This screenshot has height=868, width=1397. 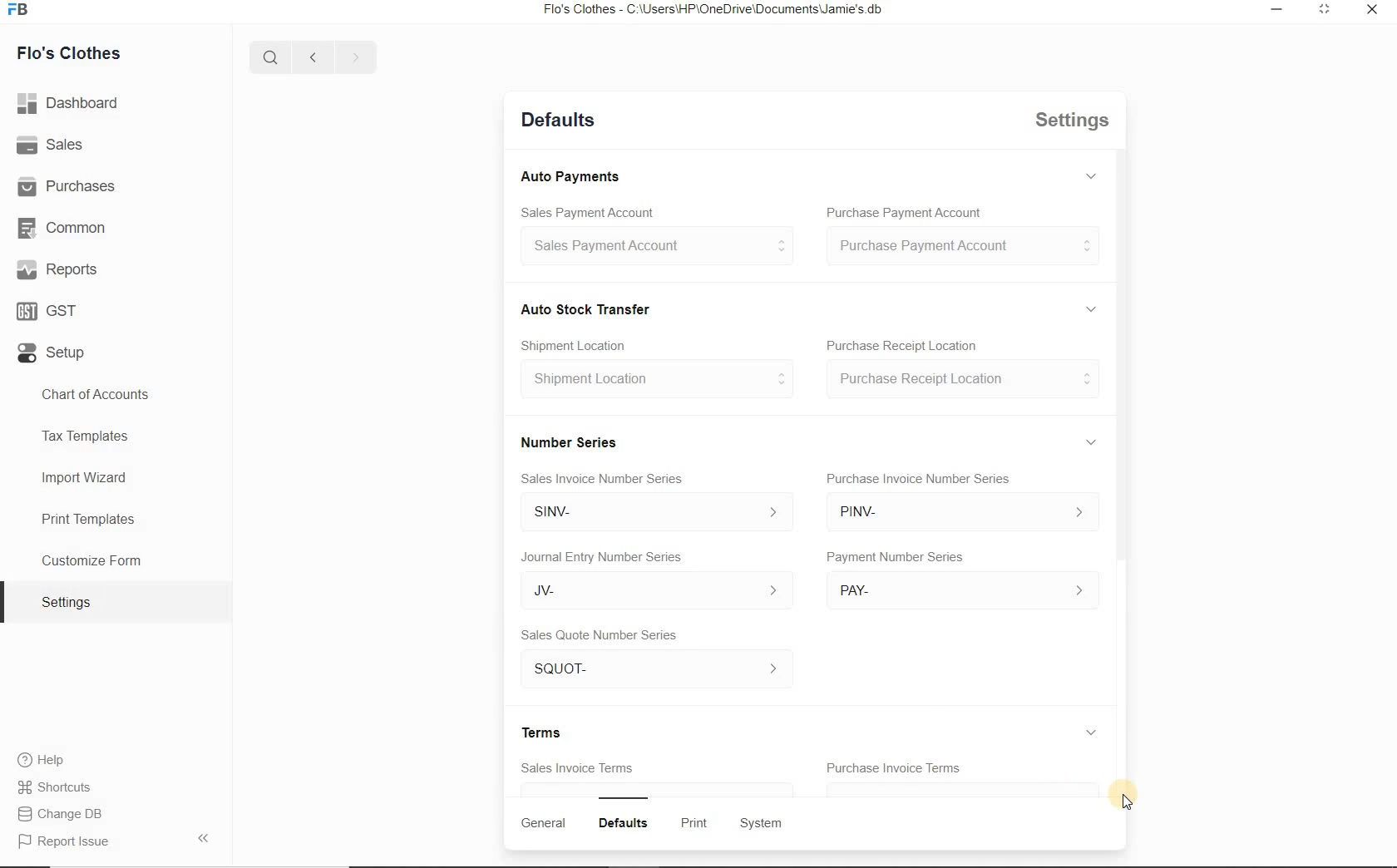 What do you see at coordinates (590, 377) in the screenshot?
I see `‘Shipment Location` at bounding box center [590, 377].